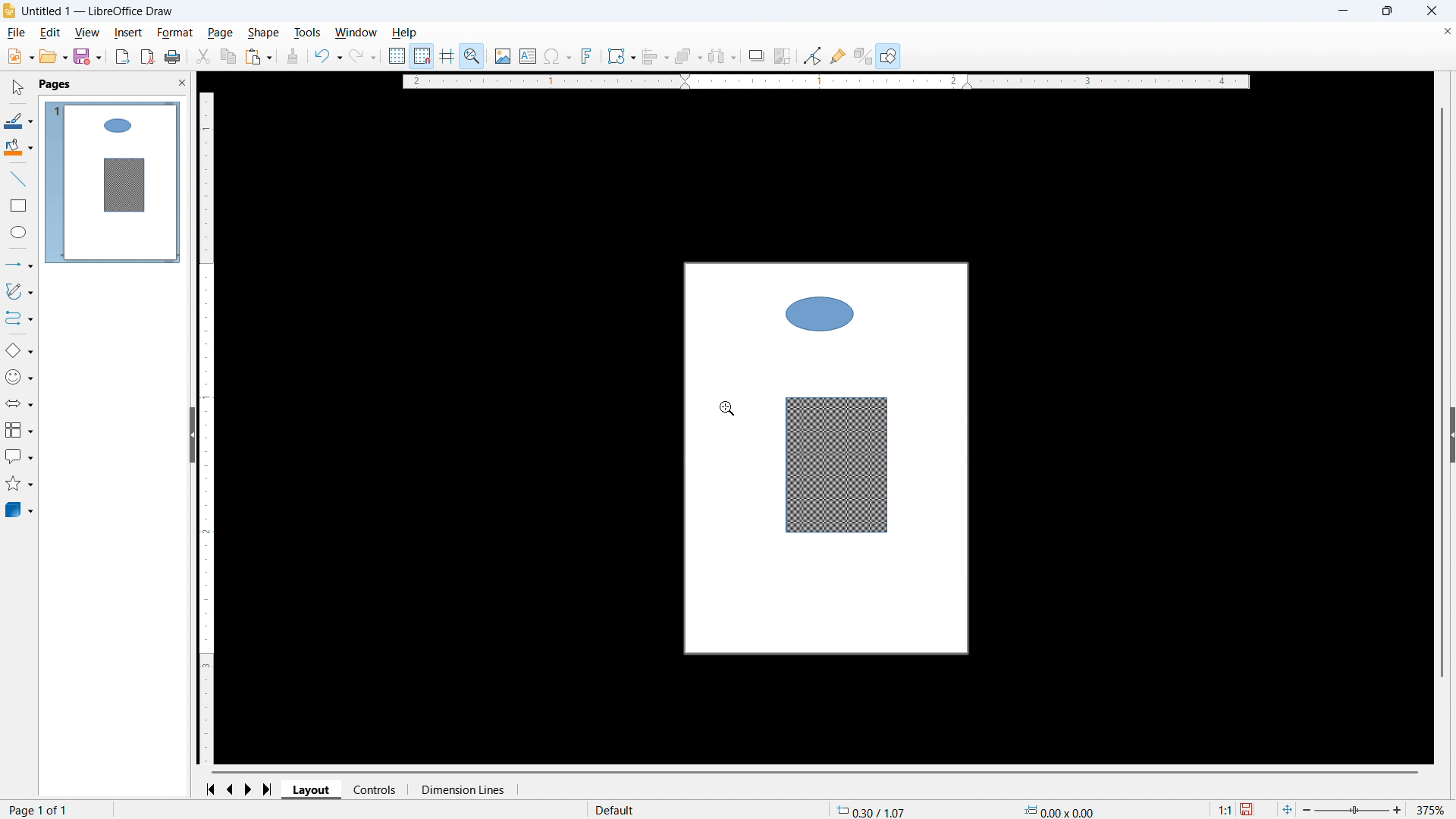 This screenshot has height=819, width=1456. Describe the element at coordinates (17, 232) in the screenshot. I see `Ellipse ` at that location.